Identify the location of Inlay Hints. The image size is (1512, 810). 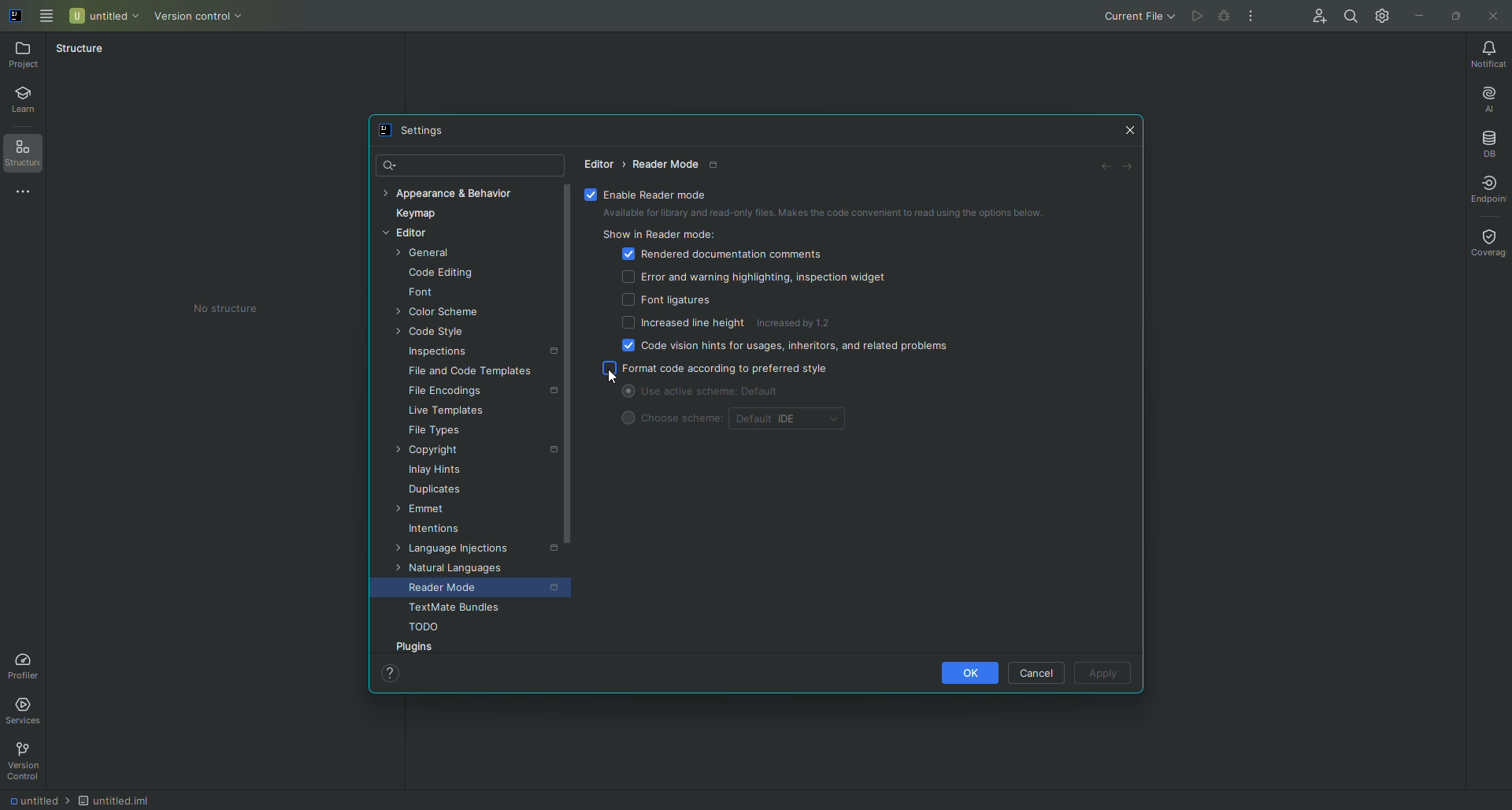
(428, 472).